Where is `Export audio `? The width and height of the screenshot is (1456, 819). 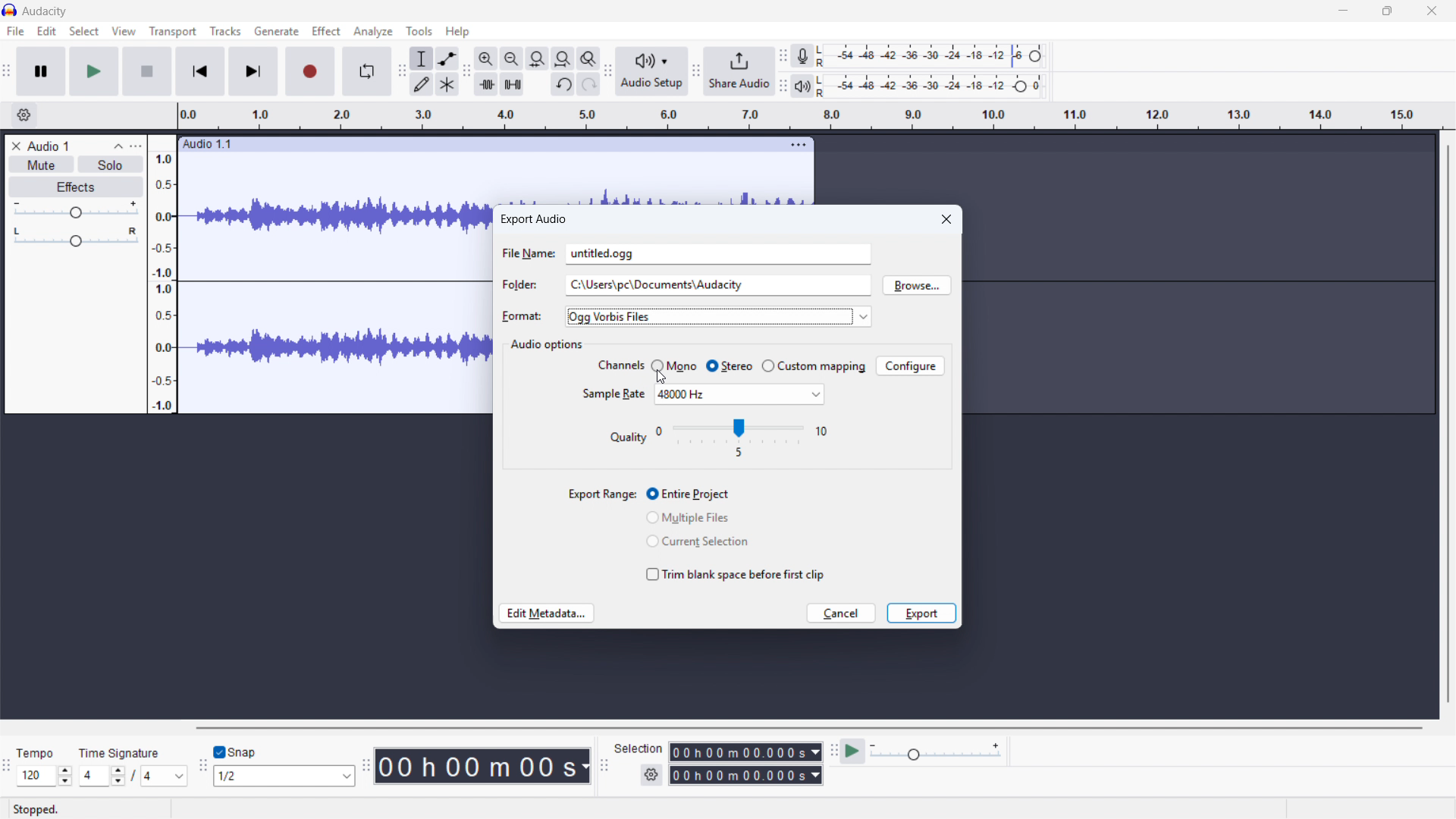
Export audio  is located at coordinates (533, 219).